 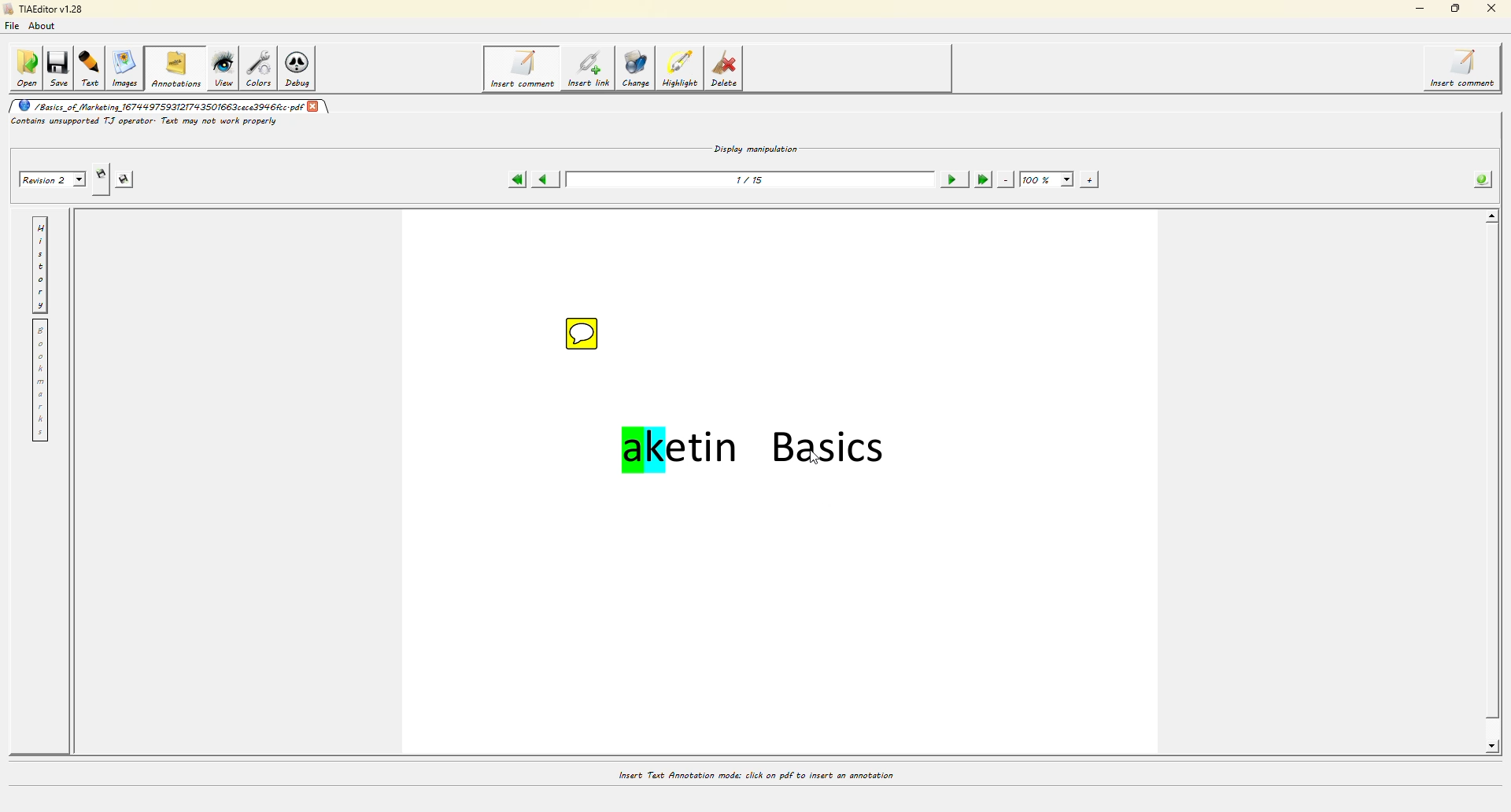 What do you see at coordinates (1047, 180) in the screenshot?
I see `100%` at bounding box center [1047, 180].